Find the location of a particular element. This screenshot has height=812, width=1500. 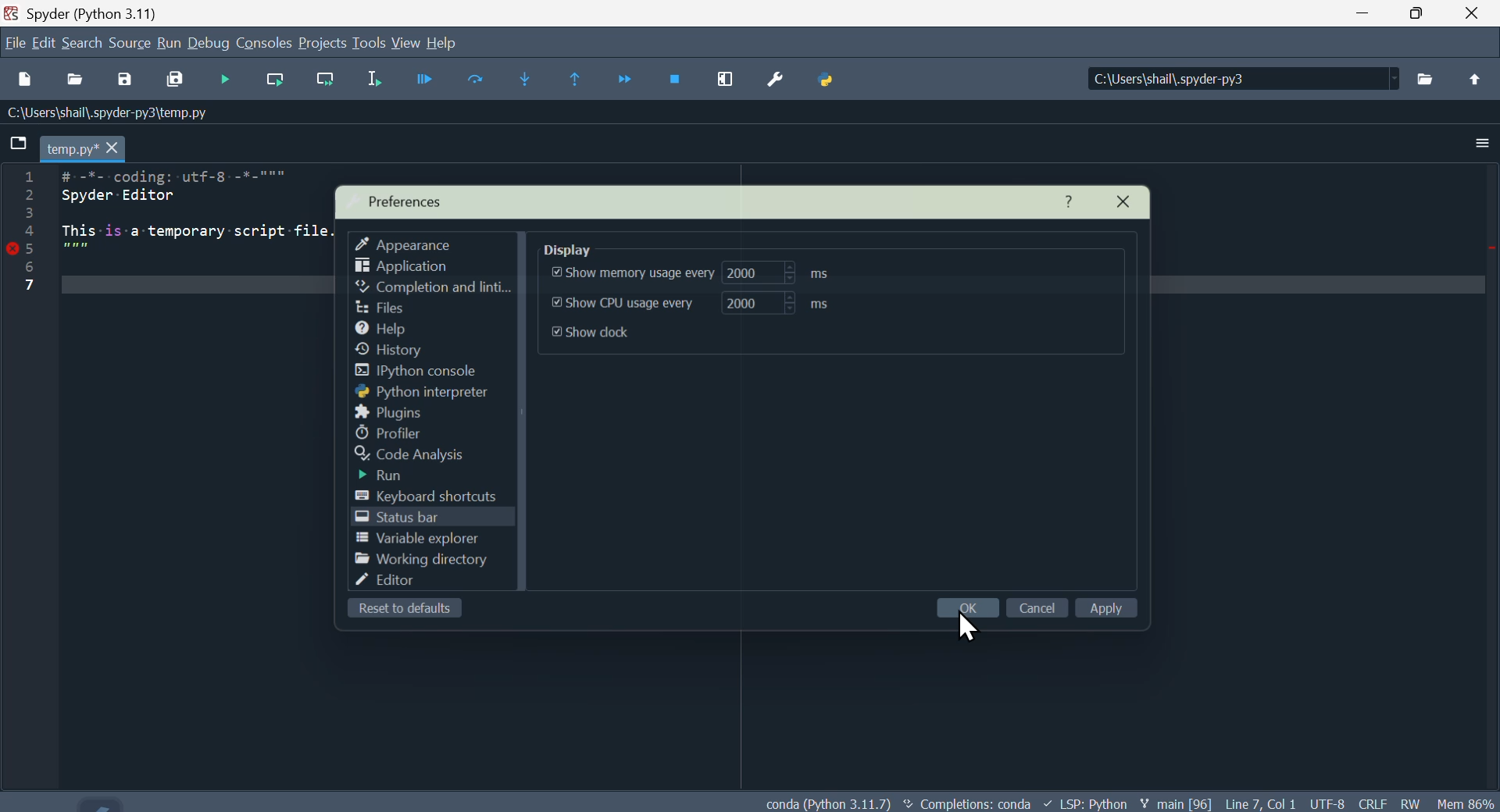

C:\Users\shail\.spyder-py3 is located at coordinates (1245, 80).